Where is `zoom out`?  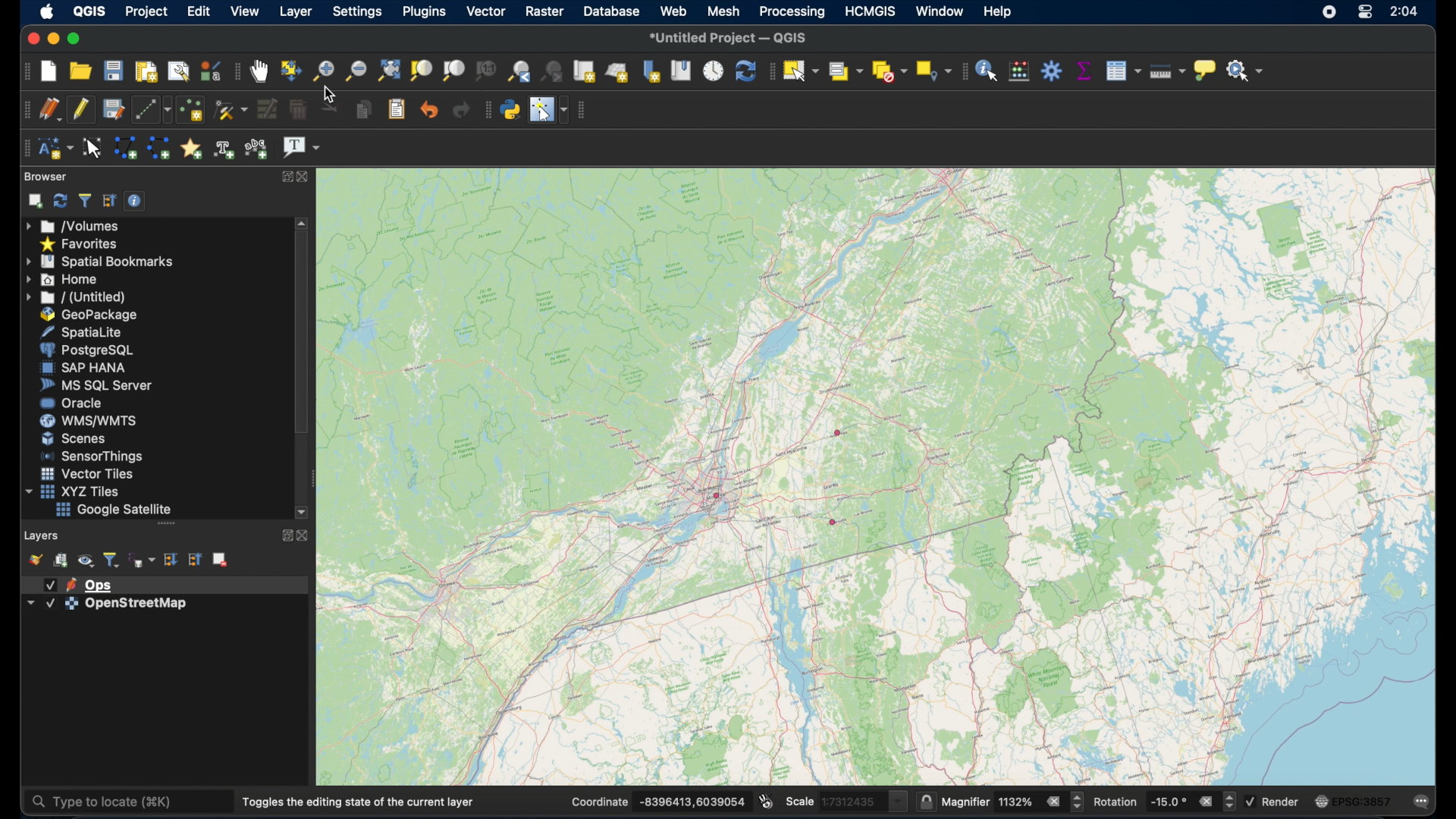 zoom out is located at coordinates (354, 72).